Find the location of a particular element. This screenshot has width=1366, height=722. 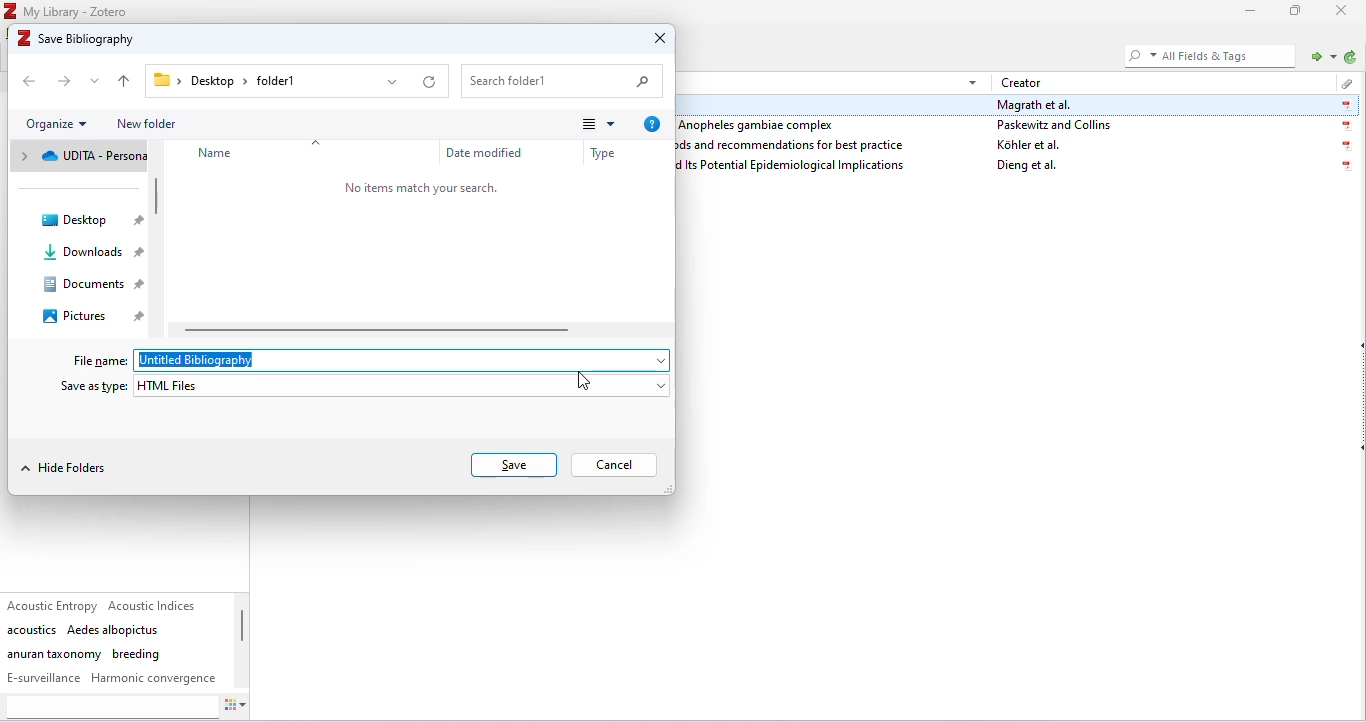

drop down is located at coordinates (324, 138).